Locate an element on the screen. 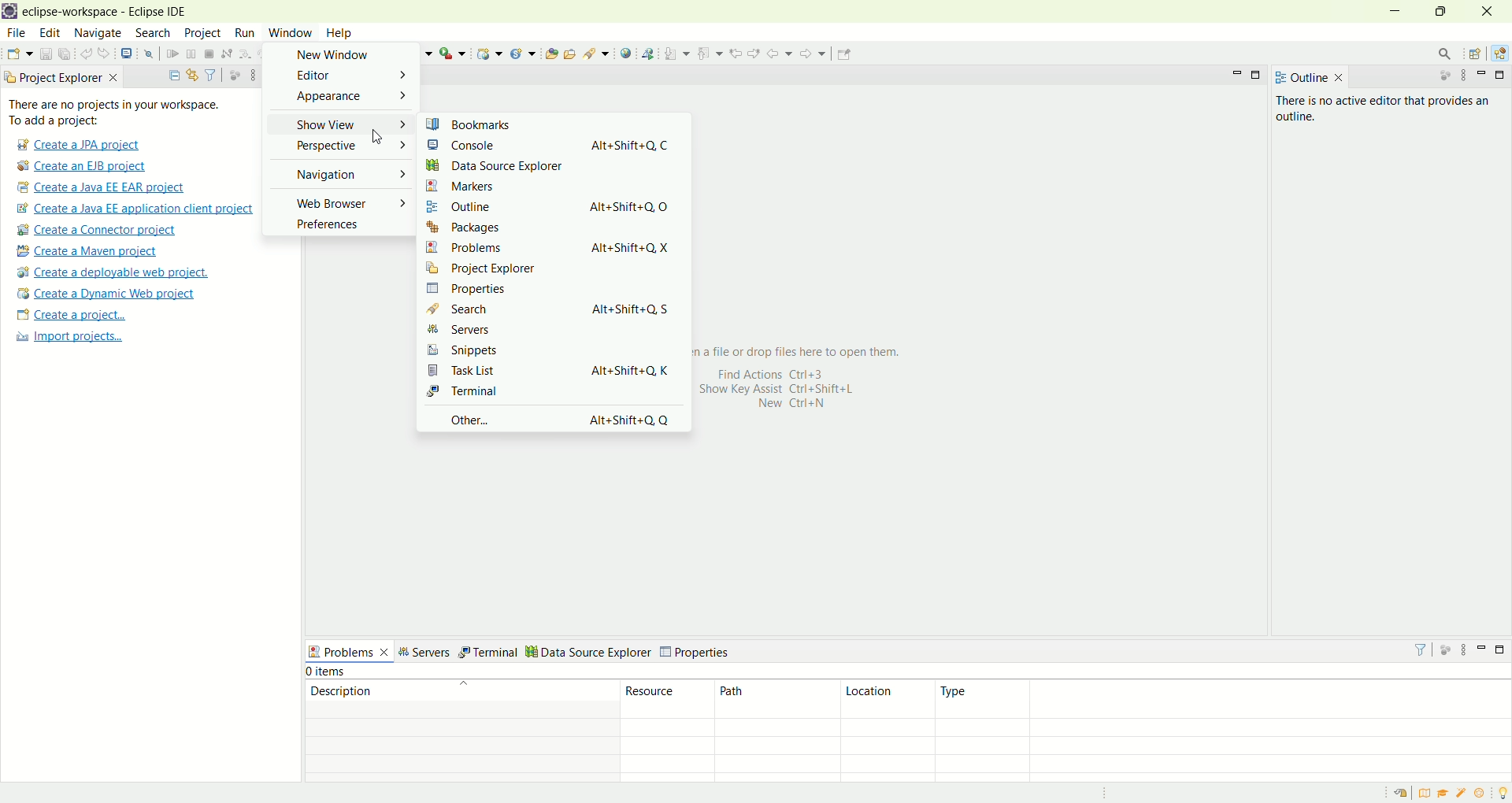 Image resolution: width=1512 pixels, height=803 pixels. search is located at coordinates (154, 33).